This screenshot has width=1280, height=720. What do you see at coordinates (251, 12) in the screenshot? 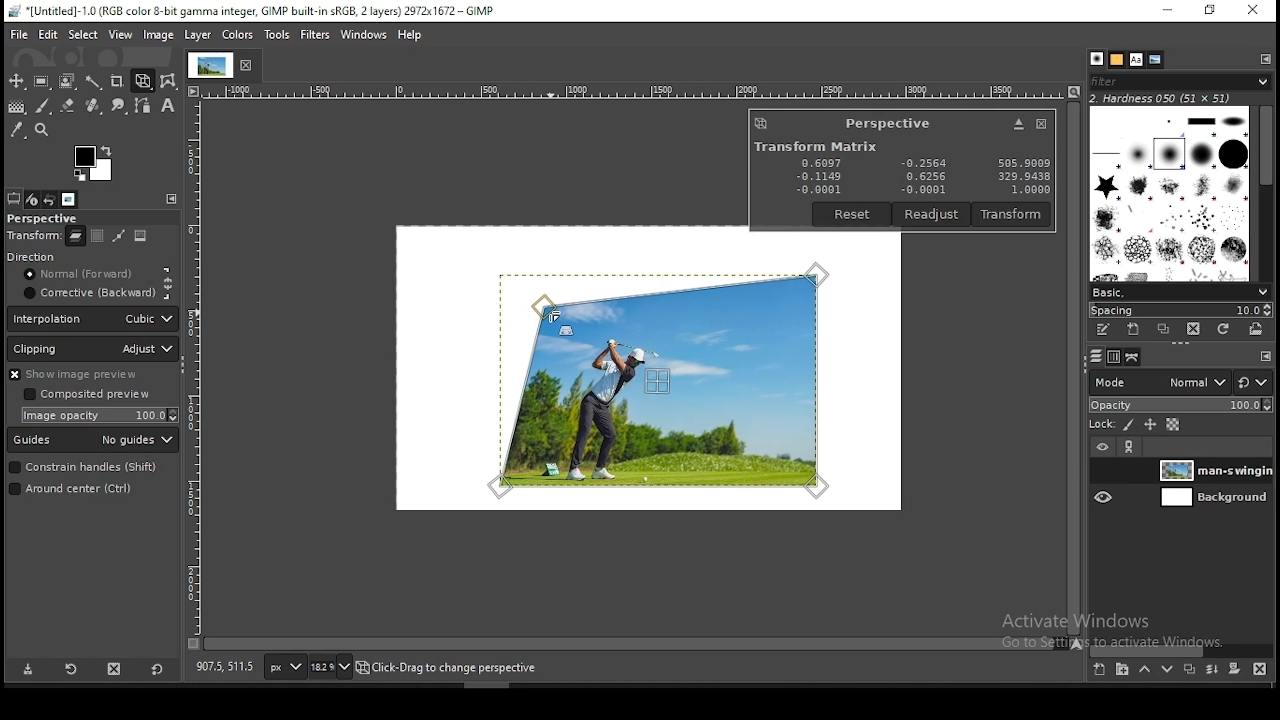
I see `*[untitled]-1.0(rgb color 8-bit gamma integer, gimp built-in sRGB, 2 layers) 2972x1672 - gimp` at bounding box center [251, 12].